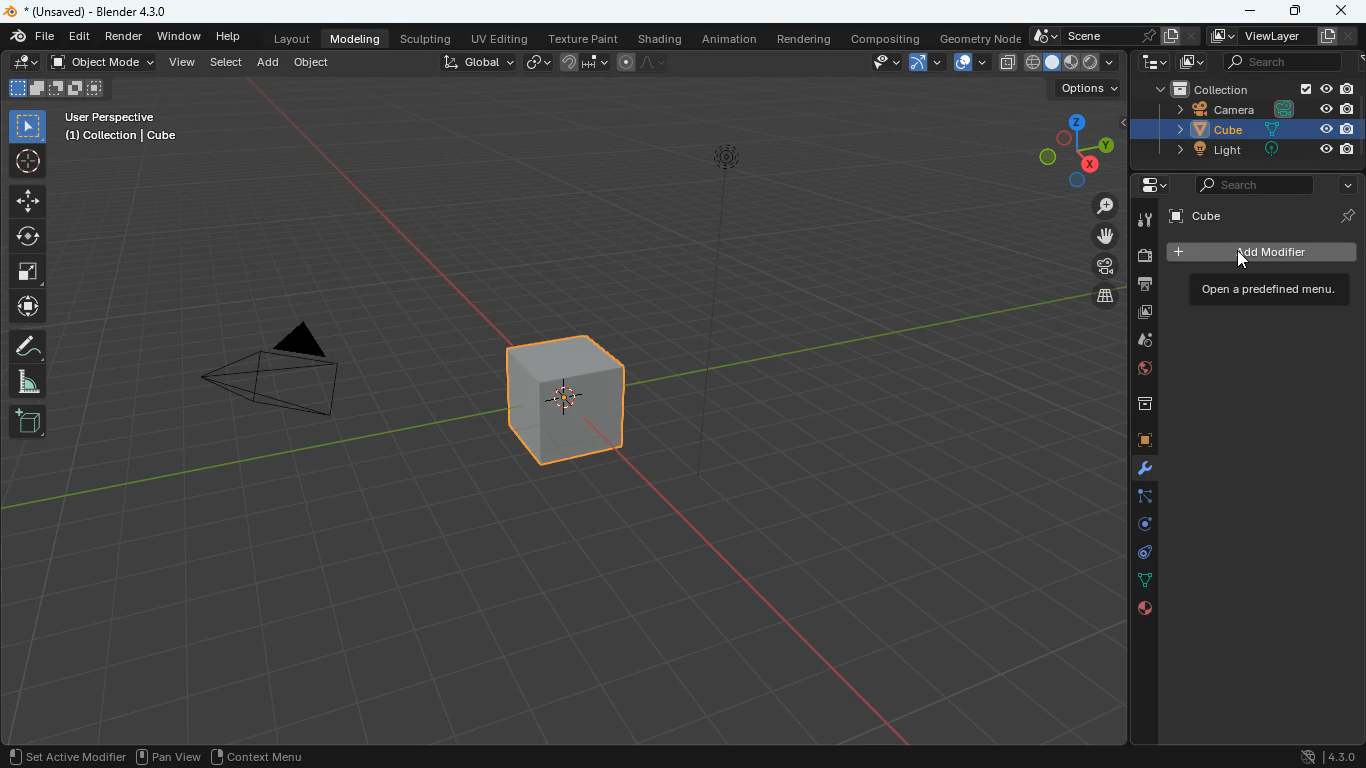 The image size is (1366, 768). Describe the element at coordinates (1136, 371) in the screenshot. I see `public` at that location.